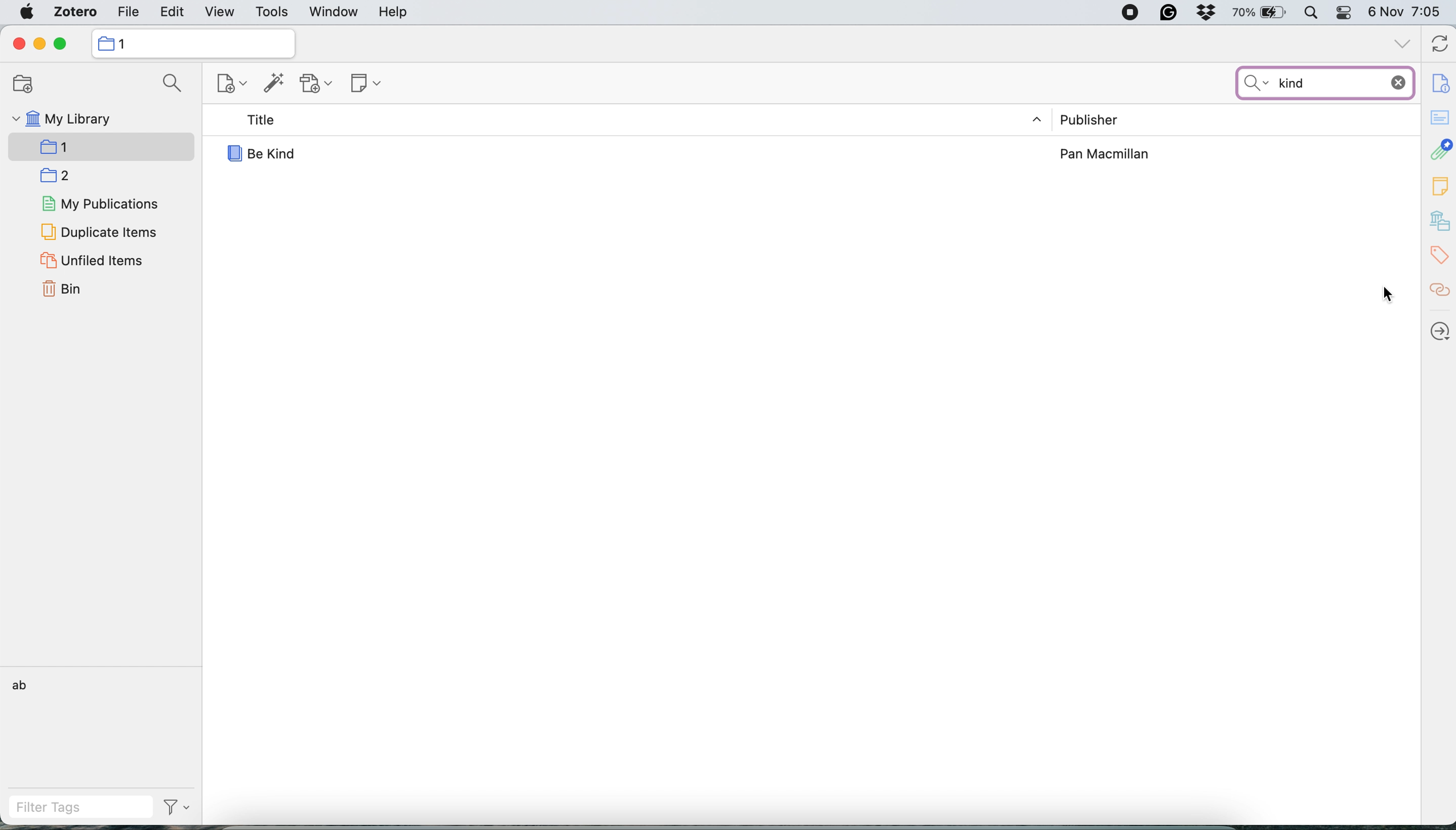 Image resolution: width=1456 pixels, height=830 pixels. Describe the element at coordinates (77, 13) in the screenshot. I see `zotero` at that location.